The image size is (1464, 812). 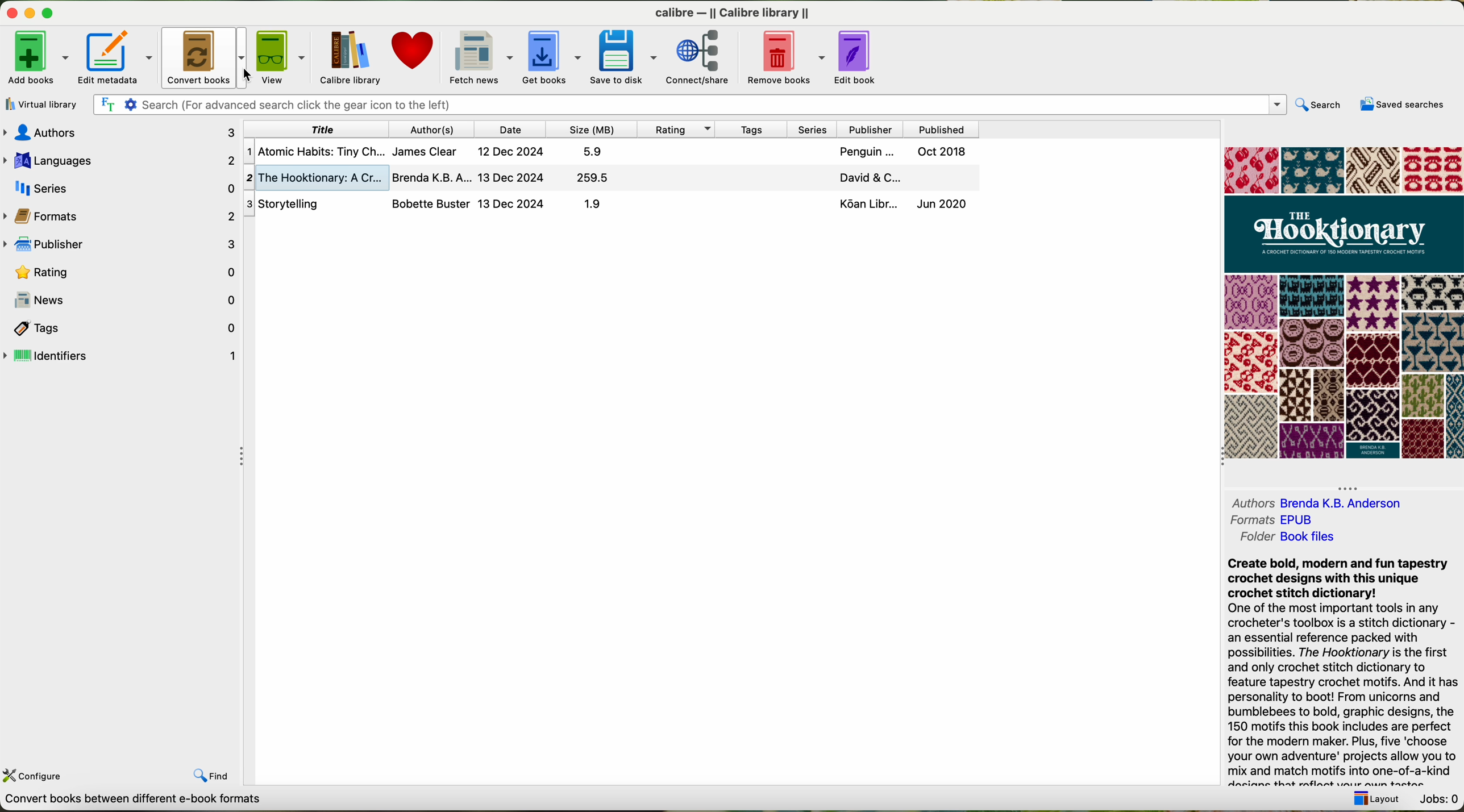 I want to click on remove books, so click(x=787, y=57).